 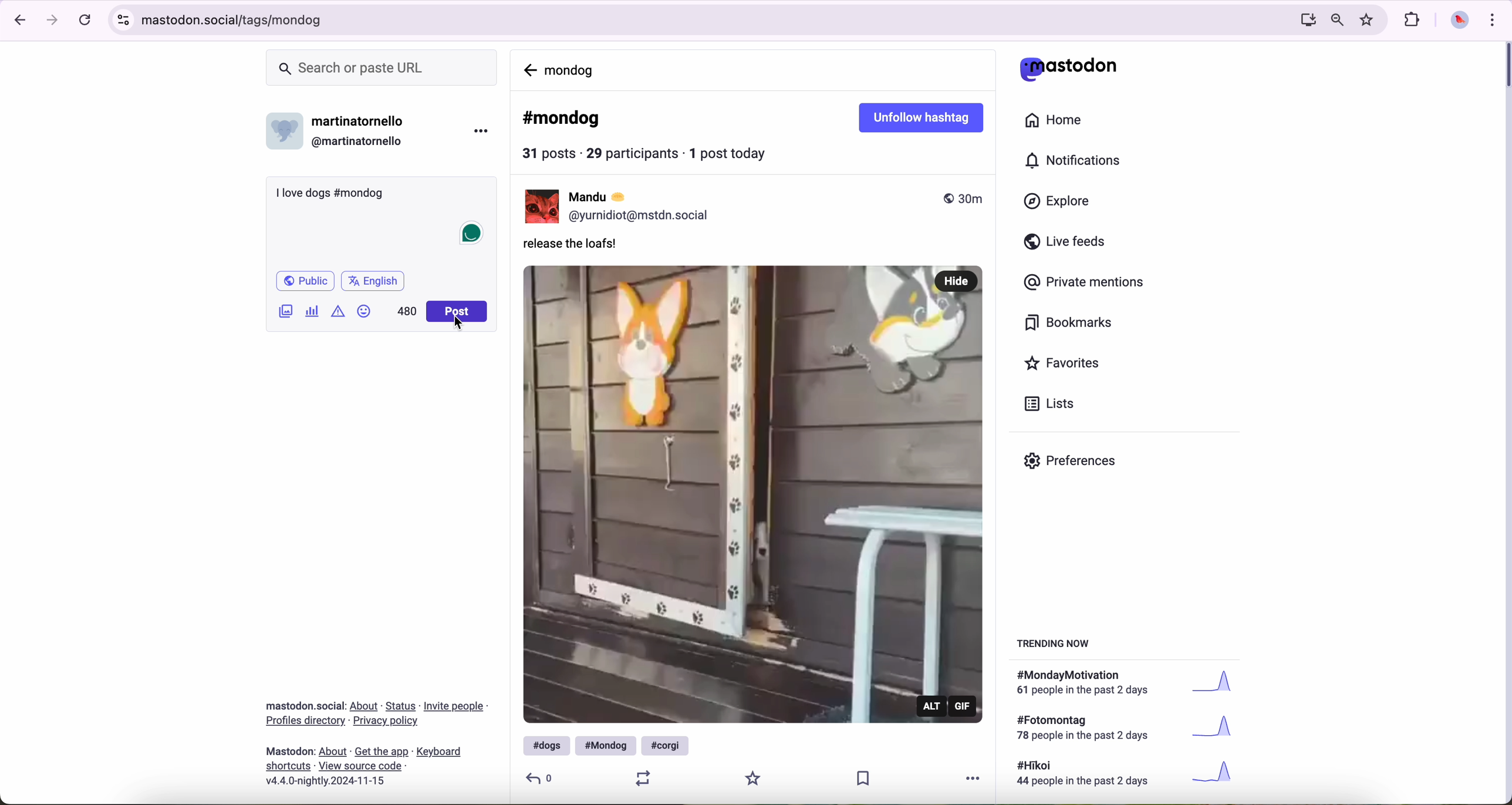 What do you see at coordinates (54, 21) in the screenshot?
I see `navigate foward` at bounding box center [54, 21].